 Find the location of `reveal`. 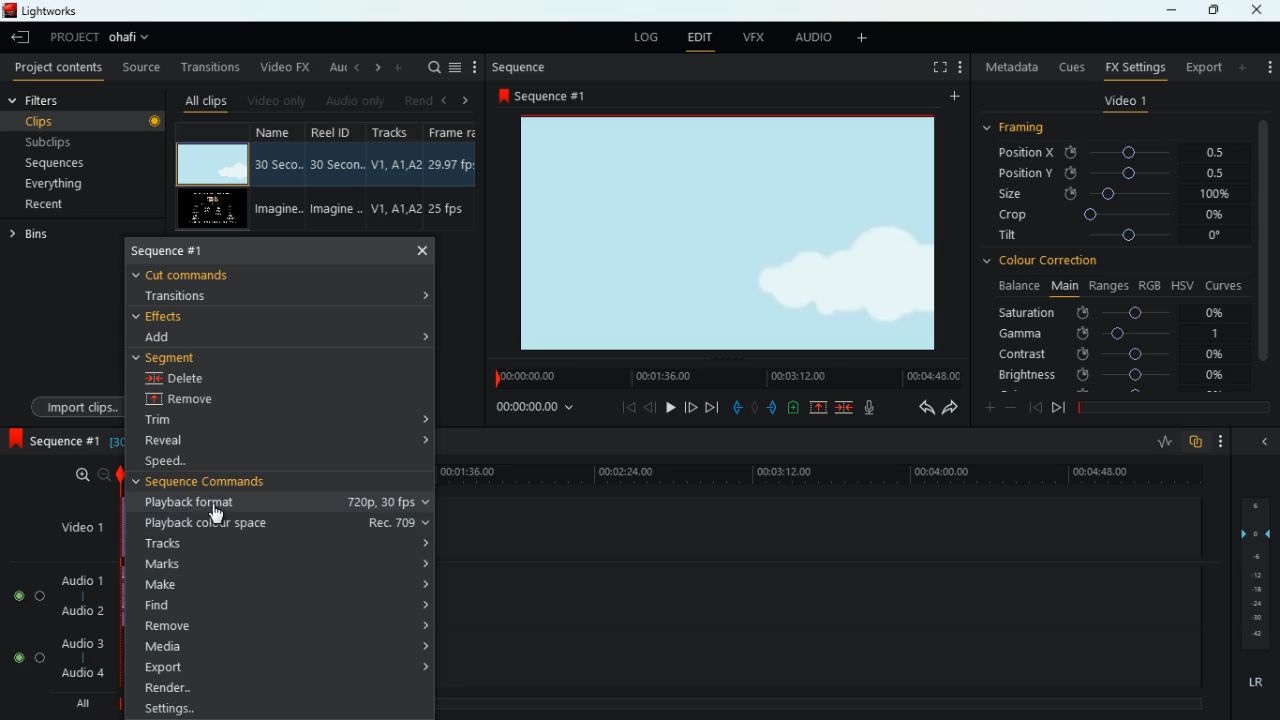

reveal is located at coordinates (186, 440).